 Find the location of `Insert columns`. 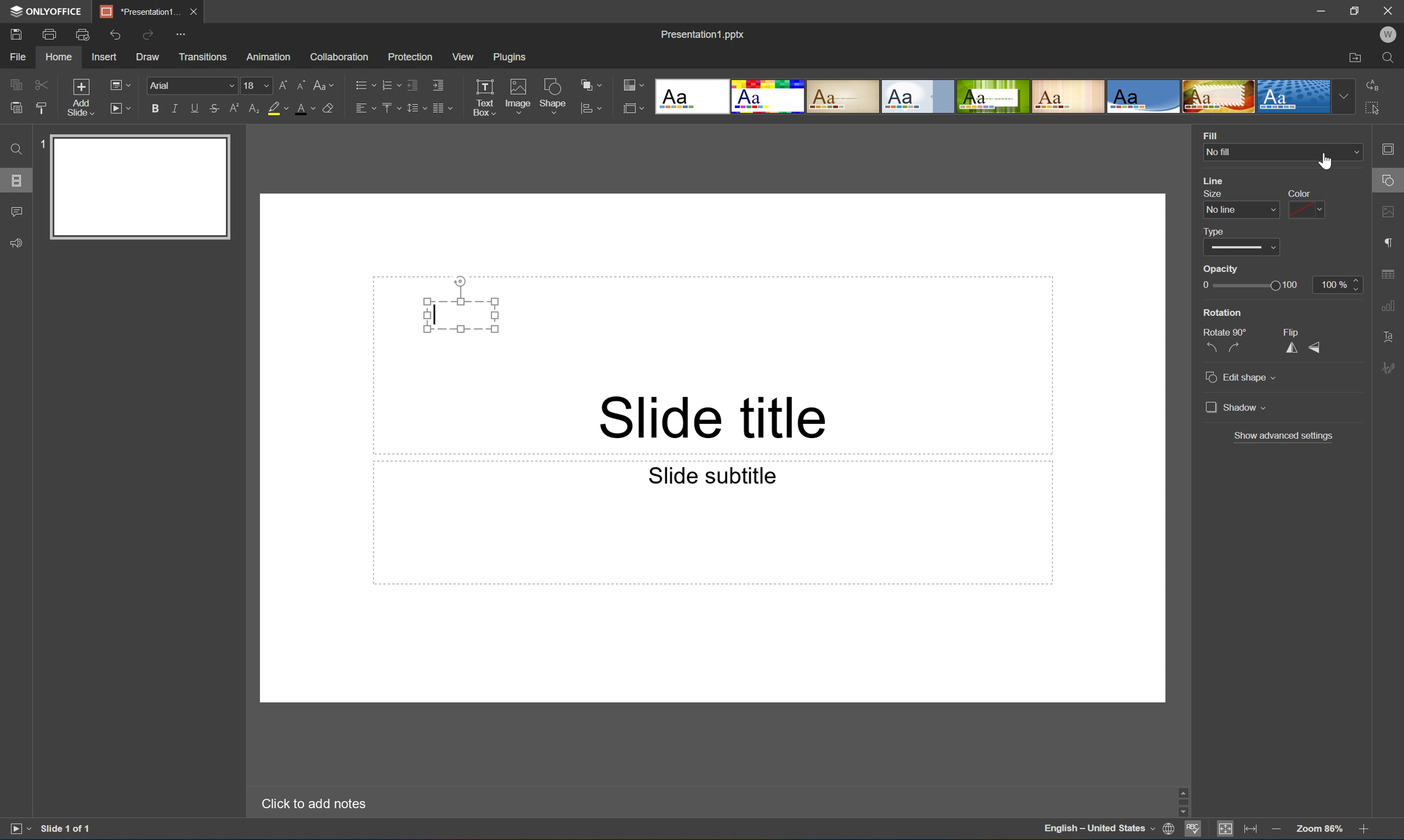

Insert columns is located at coordinates (442, 108).